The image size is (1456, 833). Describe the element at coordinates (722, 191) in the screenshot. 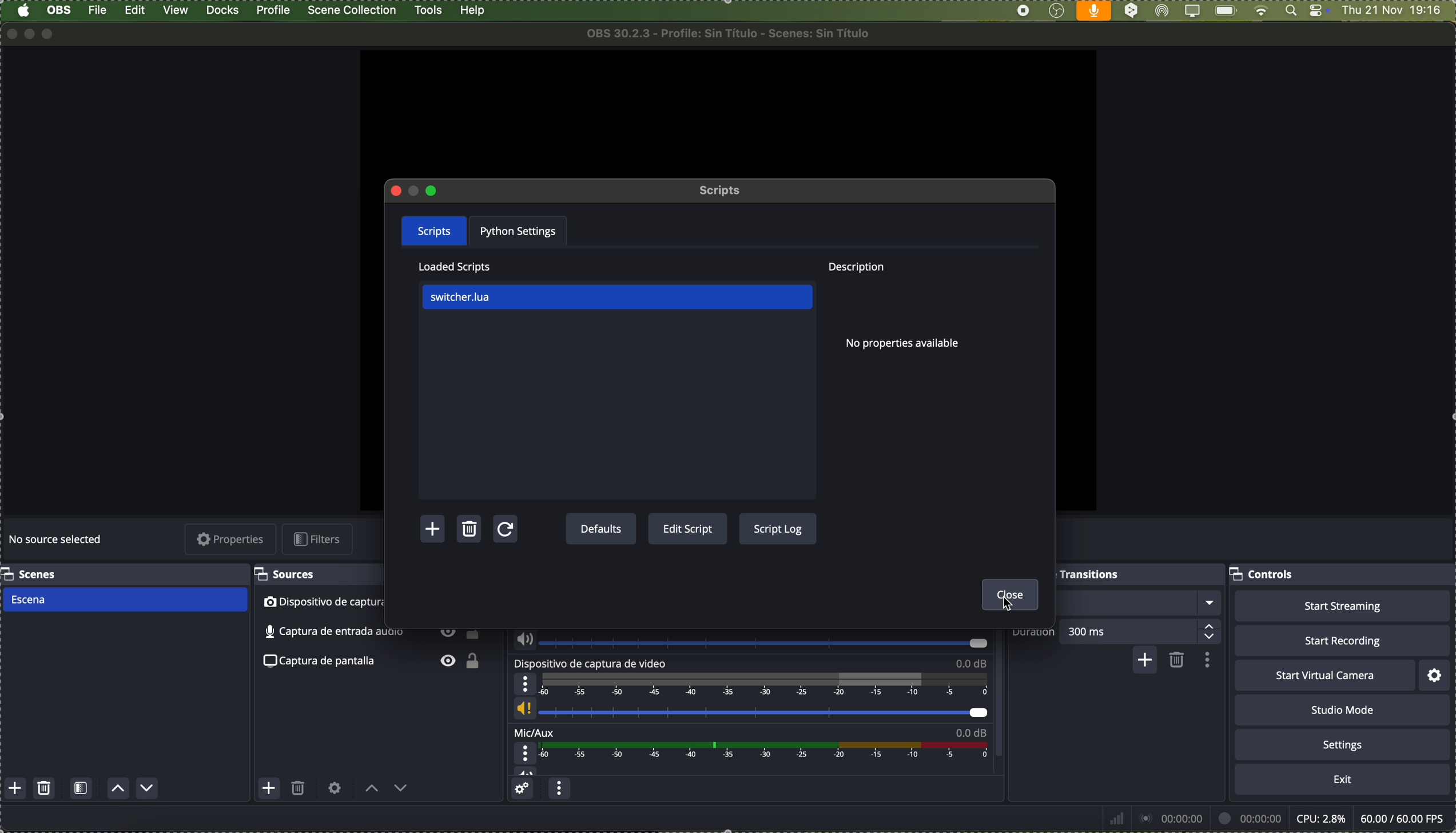

I see `scripts` at that location.